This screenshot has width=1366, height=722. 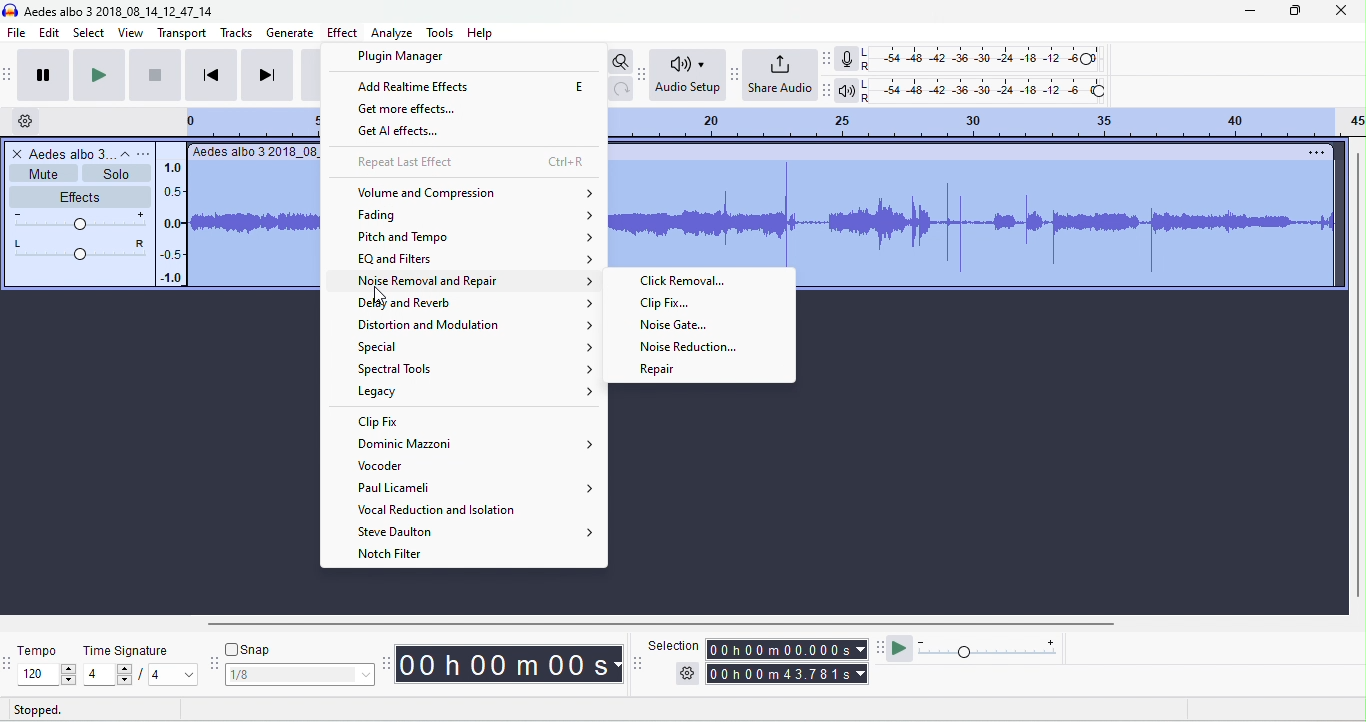 I want to click on analyze, so click(x=394, y=33).